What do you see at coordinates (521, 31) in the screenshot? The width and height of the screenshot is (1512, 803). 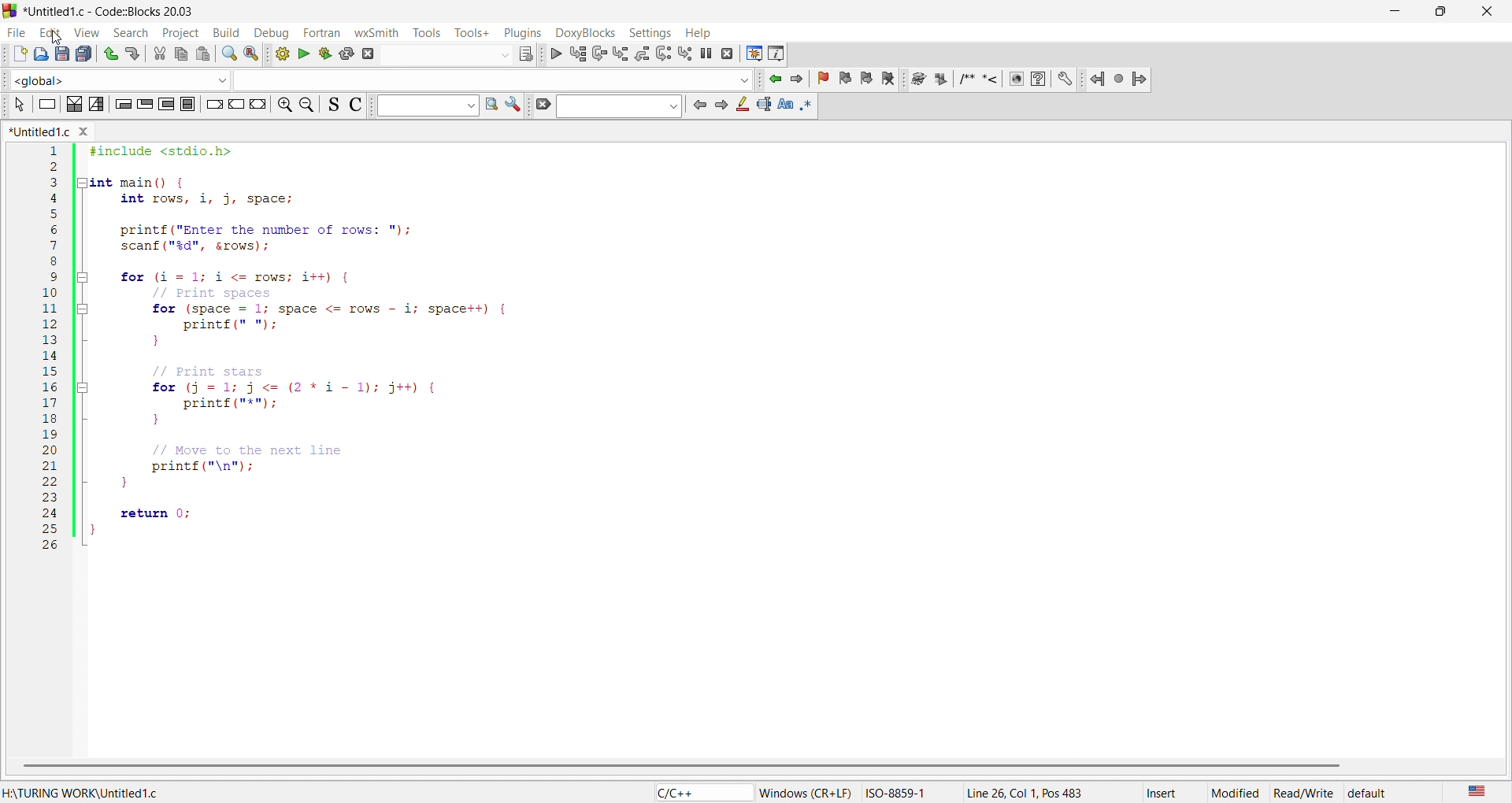 I see `plugins` at bounding box center [521, 31].